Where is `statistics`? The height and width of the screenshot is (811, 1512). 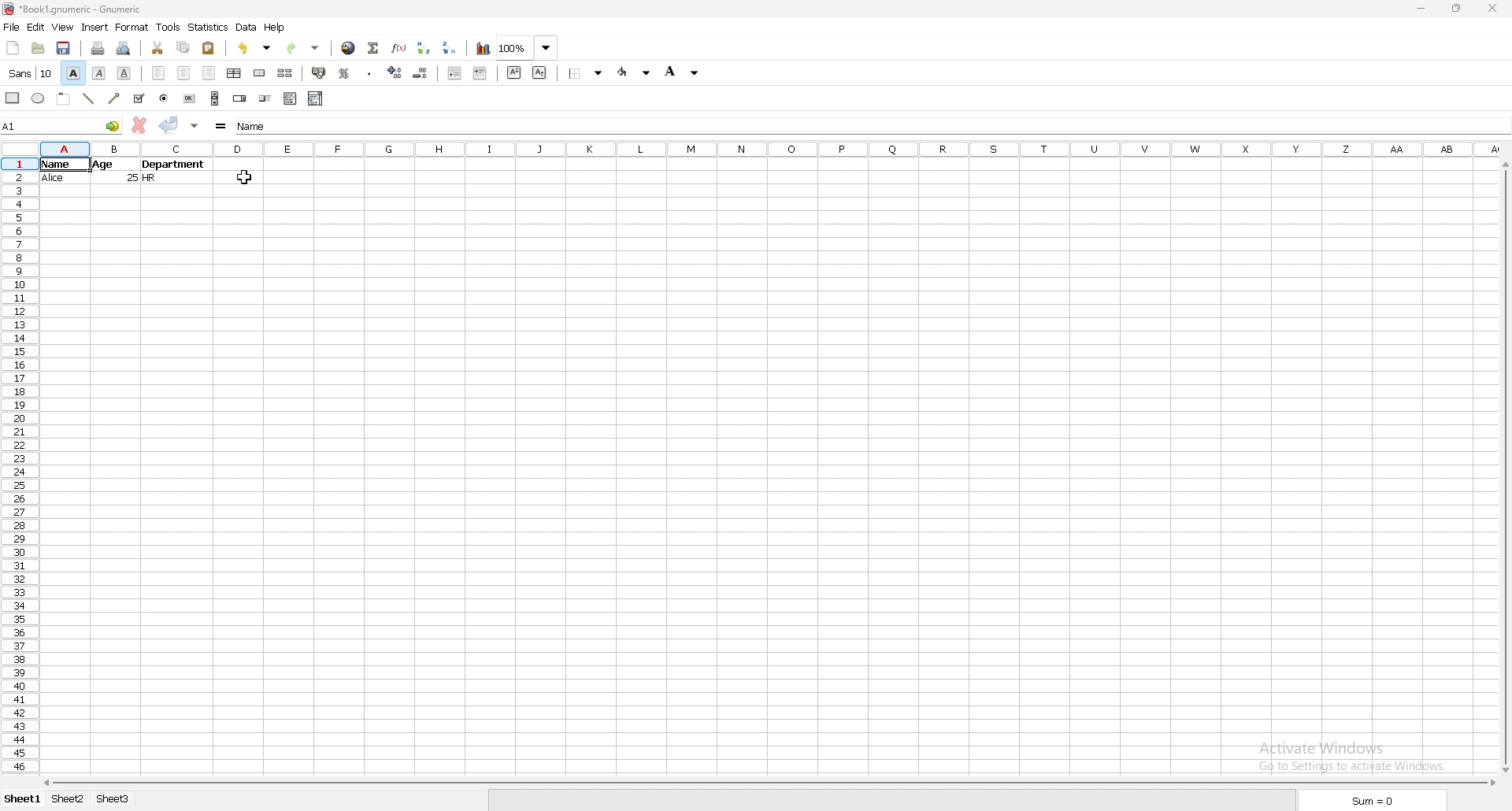
statistics is located at coordinates (209, 28).